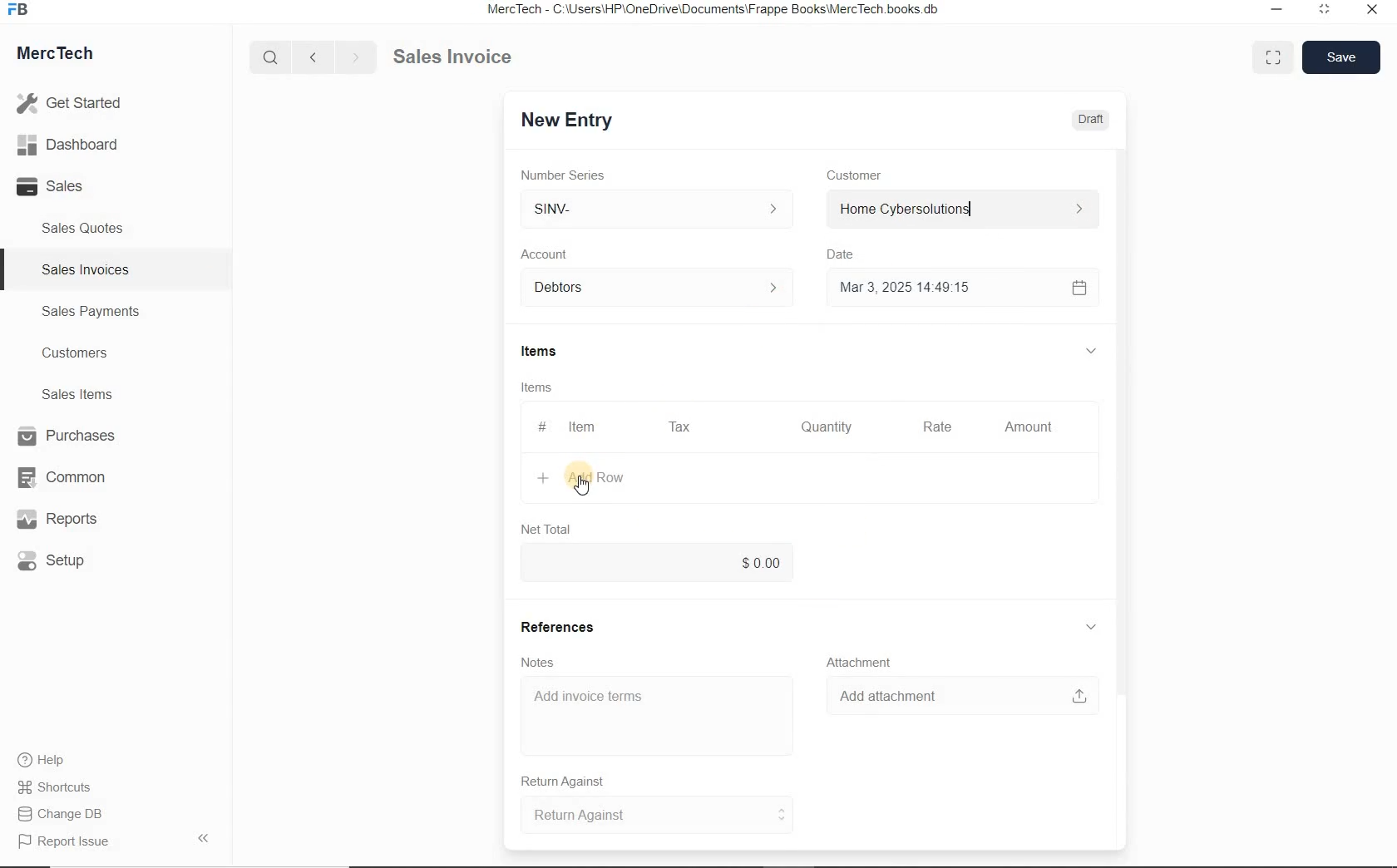 This screenshot has width=1397, height=868. I want to click on Report Issue, so click(67, 842).